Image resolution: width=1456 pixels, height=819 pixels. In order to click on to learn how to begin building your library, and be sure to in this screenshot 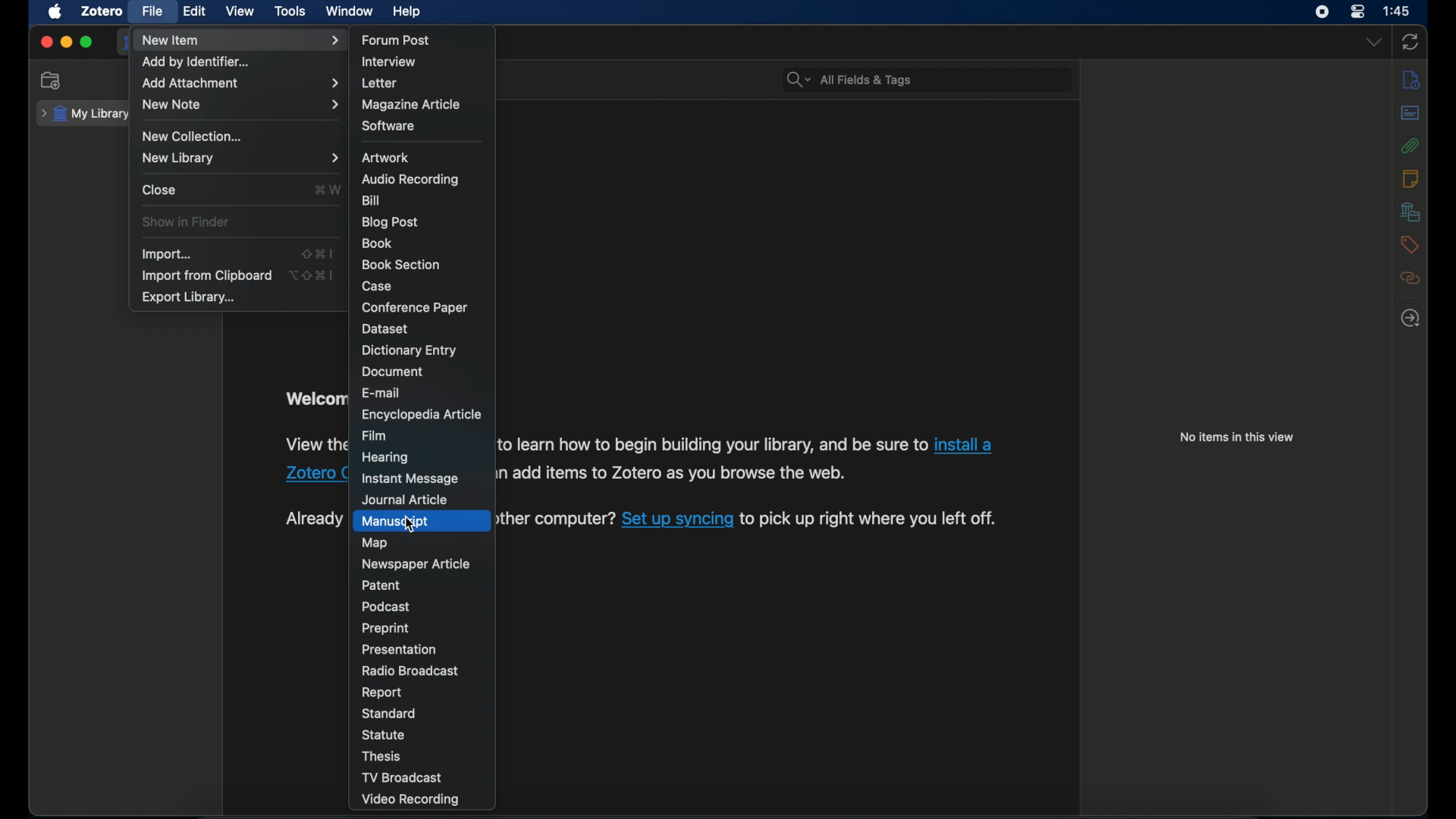, I will do `click(713, 444)`.